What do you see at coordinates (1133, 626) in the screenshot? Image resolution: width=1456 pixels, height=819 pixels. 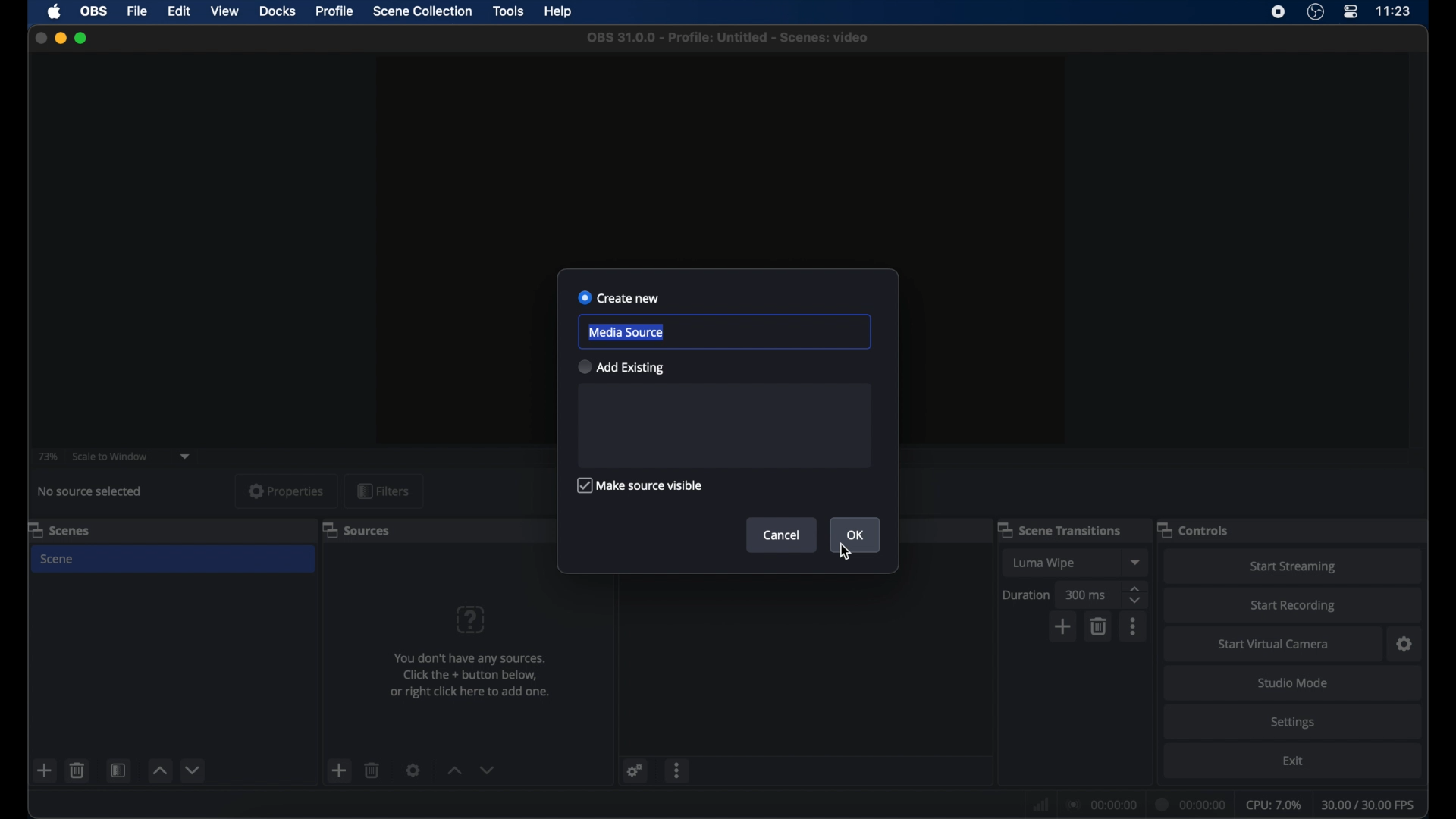 I see `more options` at bounding box center [1133, 626].